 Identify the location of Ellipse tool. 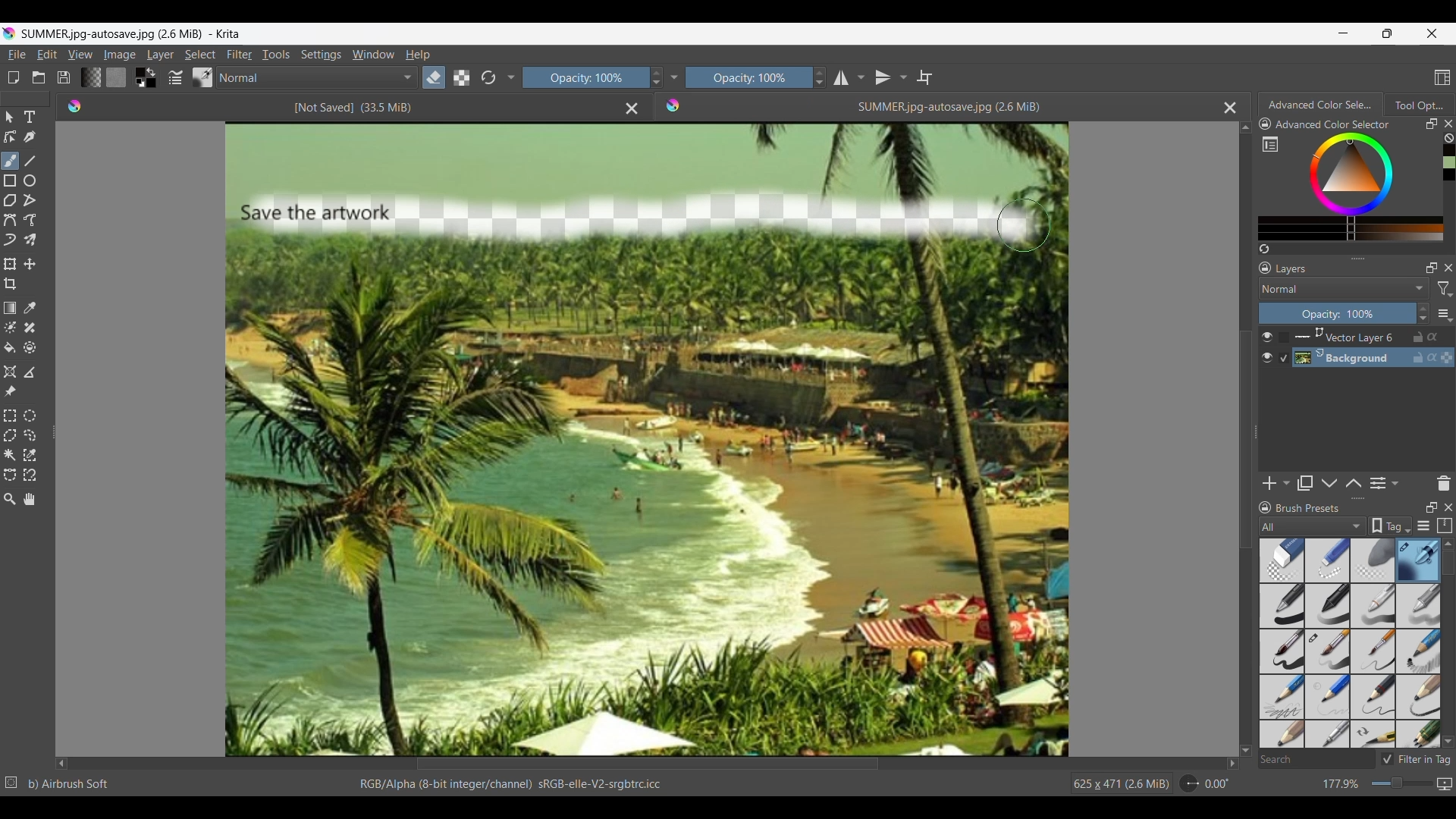
(30, 180).